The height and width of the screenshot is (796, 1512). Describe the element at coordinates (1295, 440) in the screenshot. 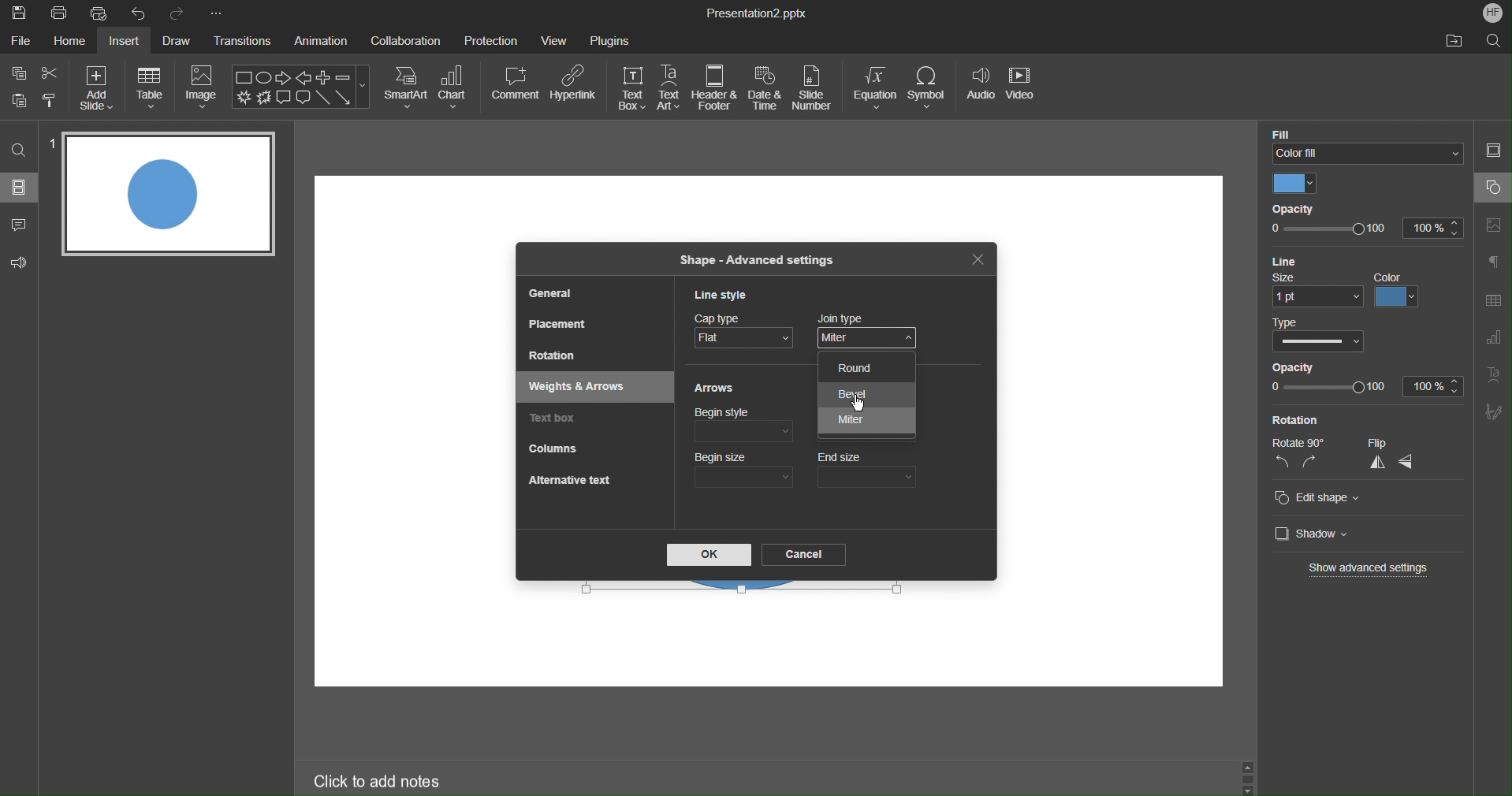

I see `Rotate 90` at that location.